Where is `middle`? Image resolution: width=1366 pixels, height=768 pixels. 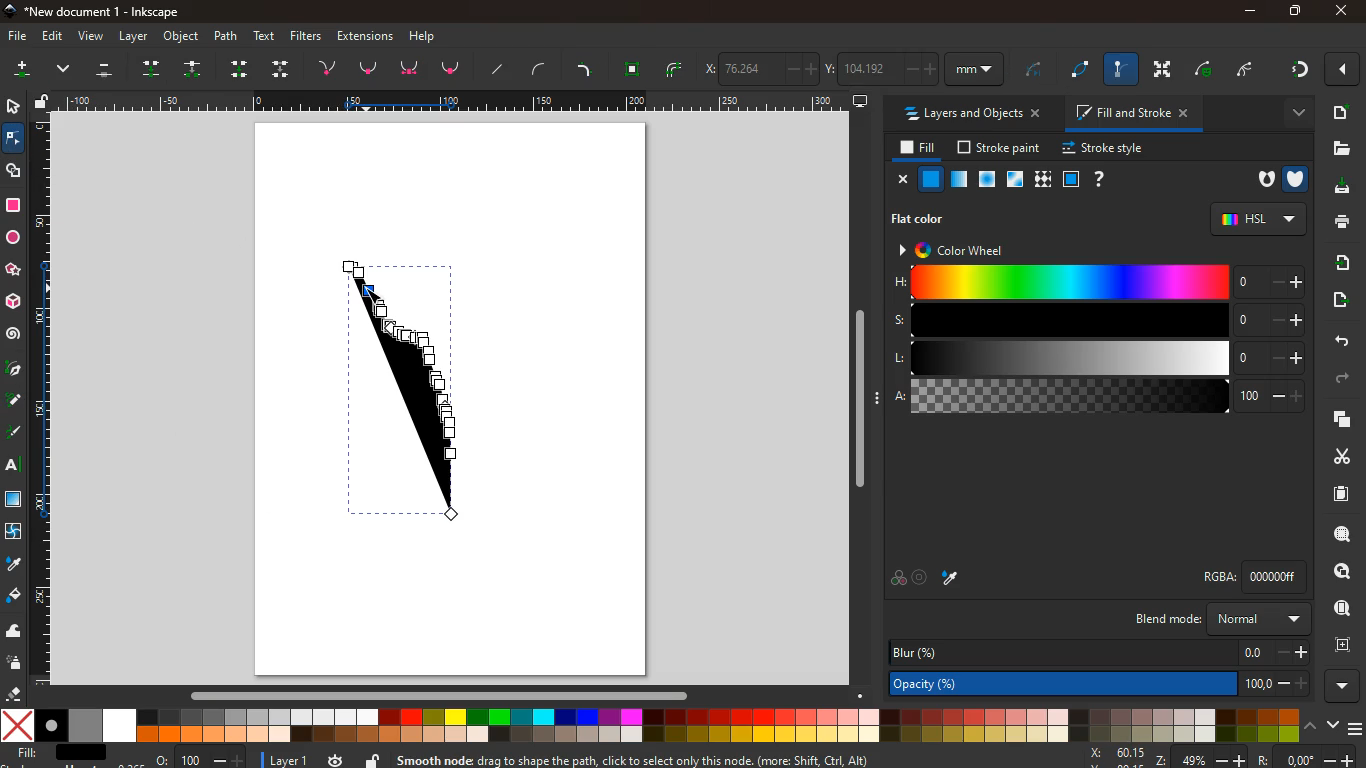 middle is located at coordinates (242, 69).